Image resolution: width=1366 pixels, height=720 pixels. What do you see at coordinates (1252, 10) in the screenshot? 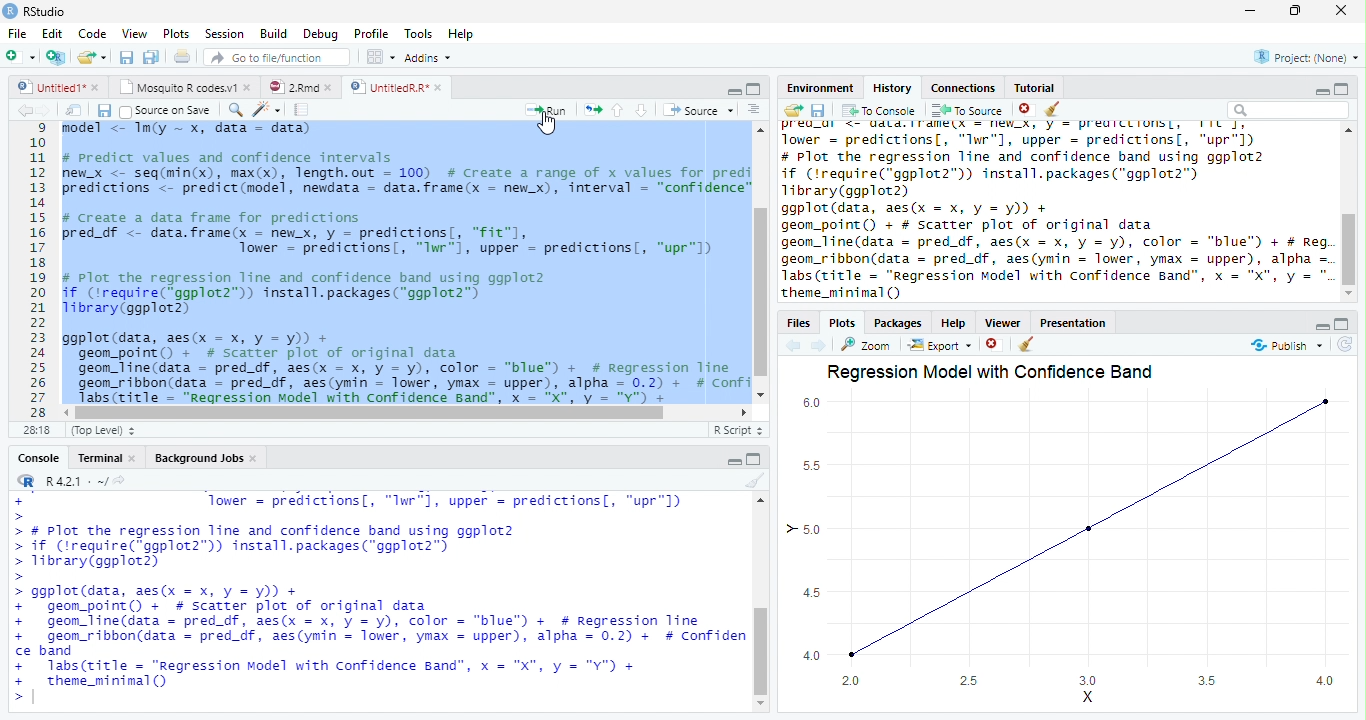
I see `Minimize` at bounding box center [1252, 10].